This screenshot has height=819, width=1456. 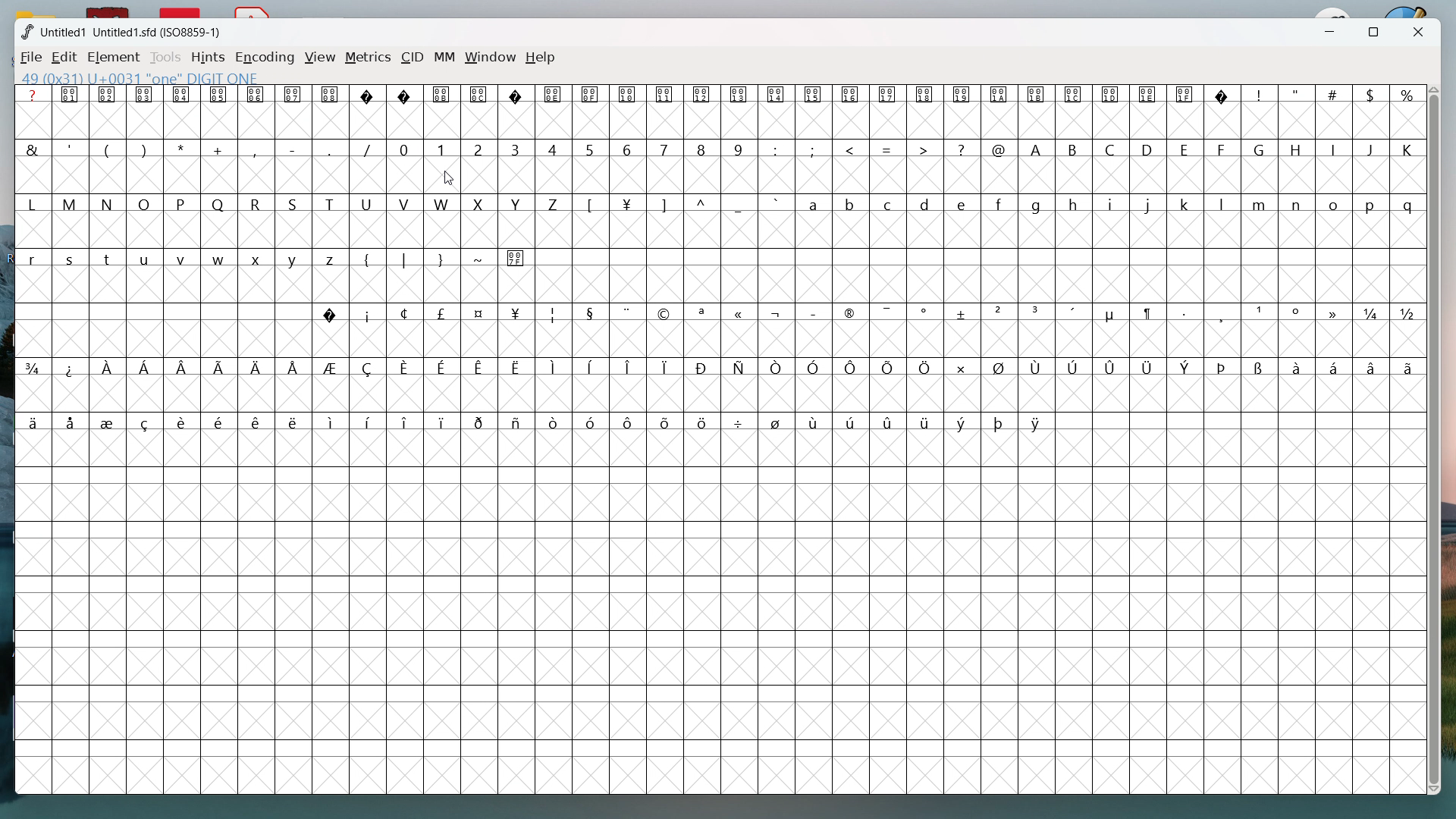 I want to click on |, so click(x=406, y=259).